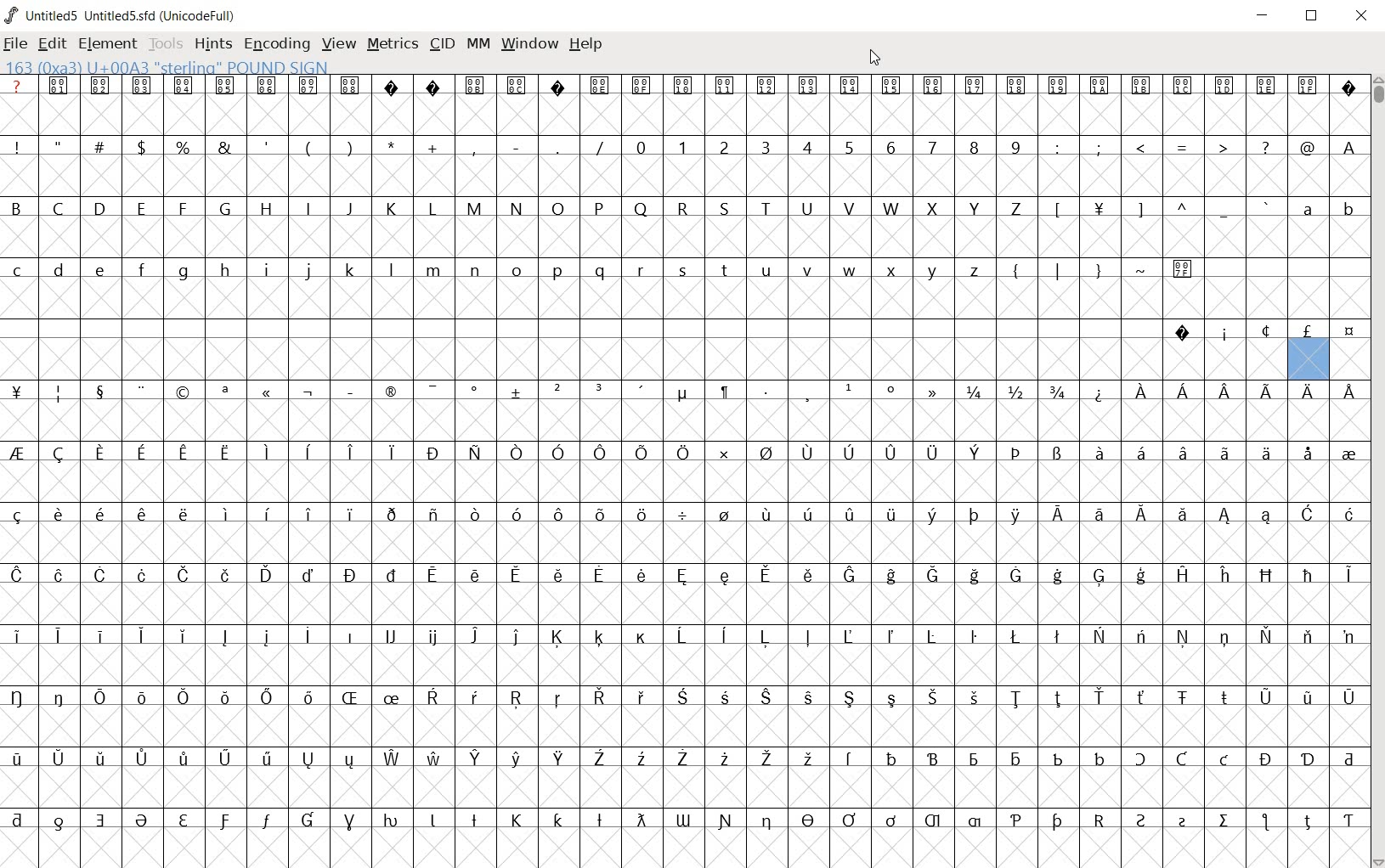  Describe the element at coordinates (432, 208) in the screenshot. I see `L` at that location.